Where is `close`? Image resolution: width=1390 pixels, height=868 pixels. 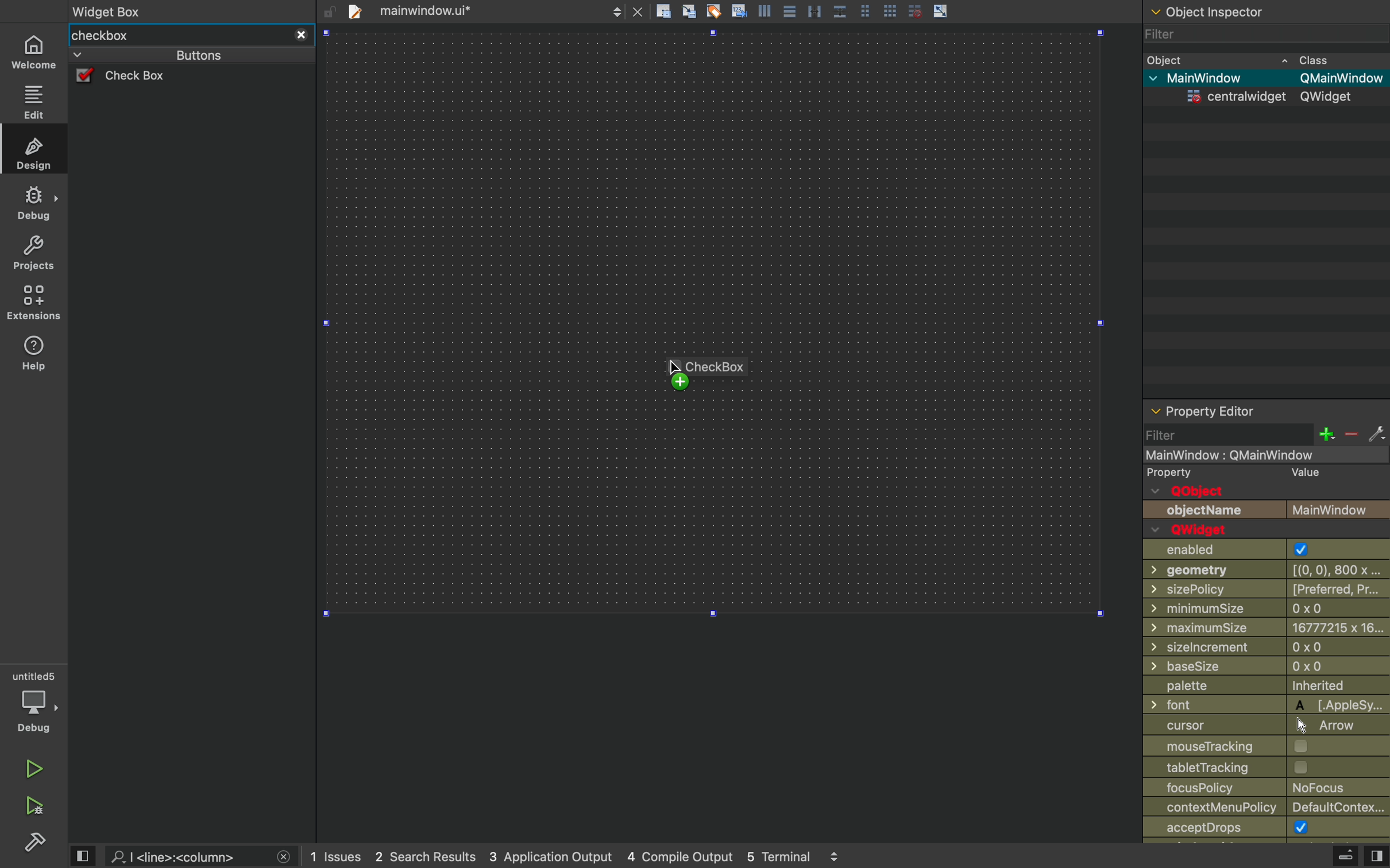
close is located at coordinates (301, 36).